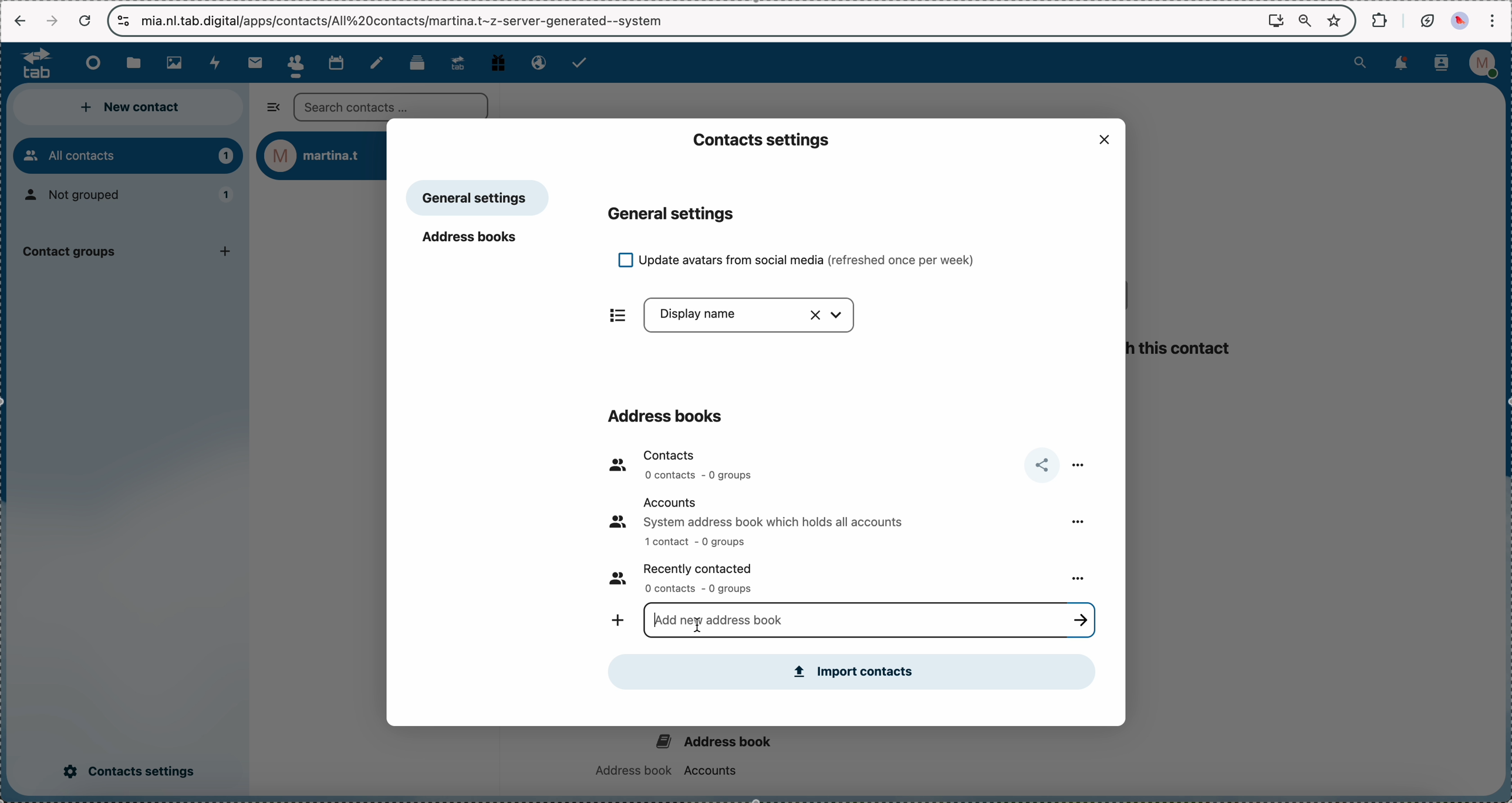  Describe the element at coordinates (698, 630) in the screenshot. I see `cursor` at that location.